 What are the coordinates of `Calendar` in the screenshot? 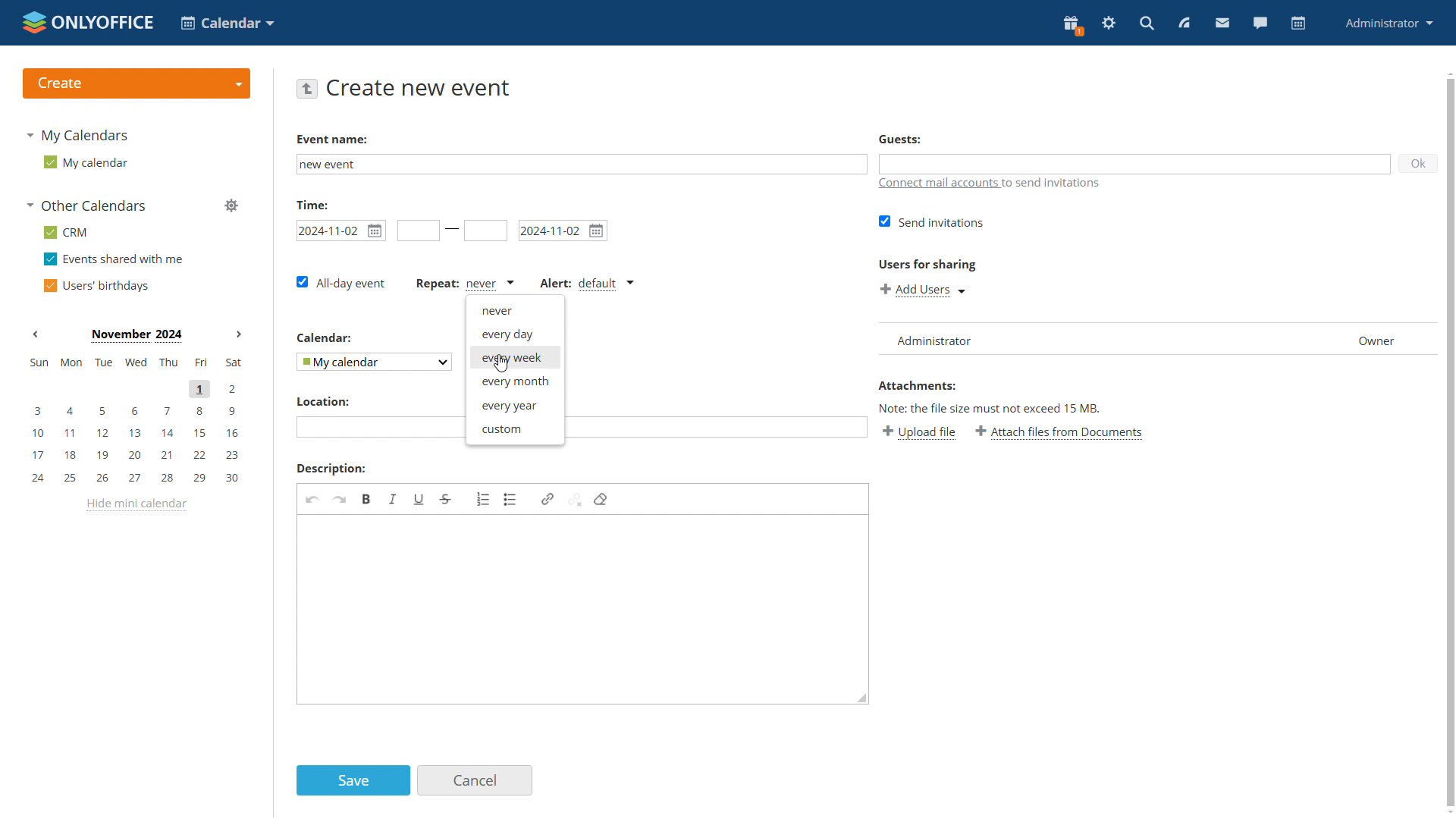 It's located at (325, 337).